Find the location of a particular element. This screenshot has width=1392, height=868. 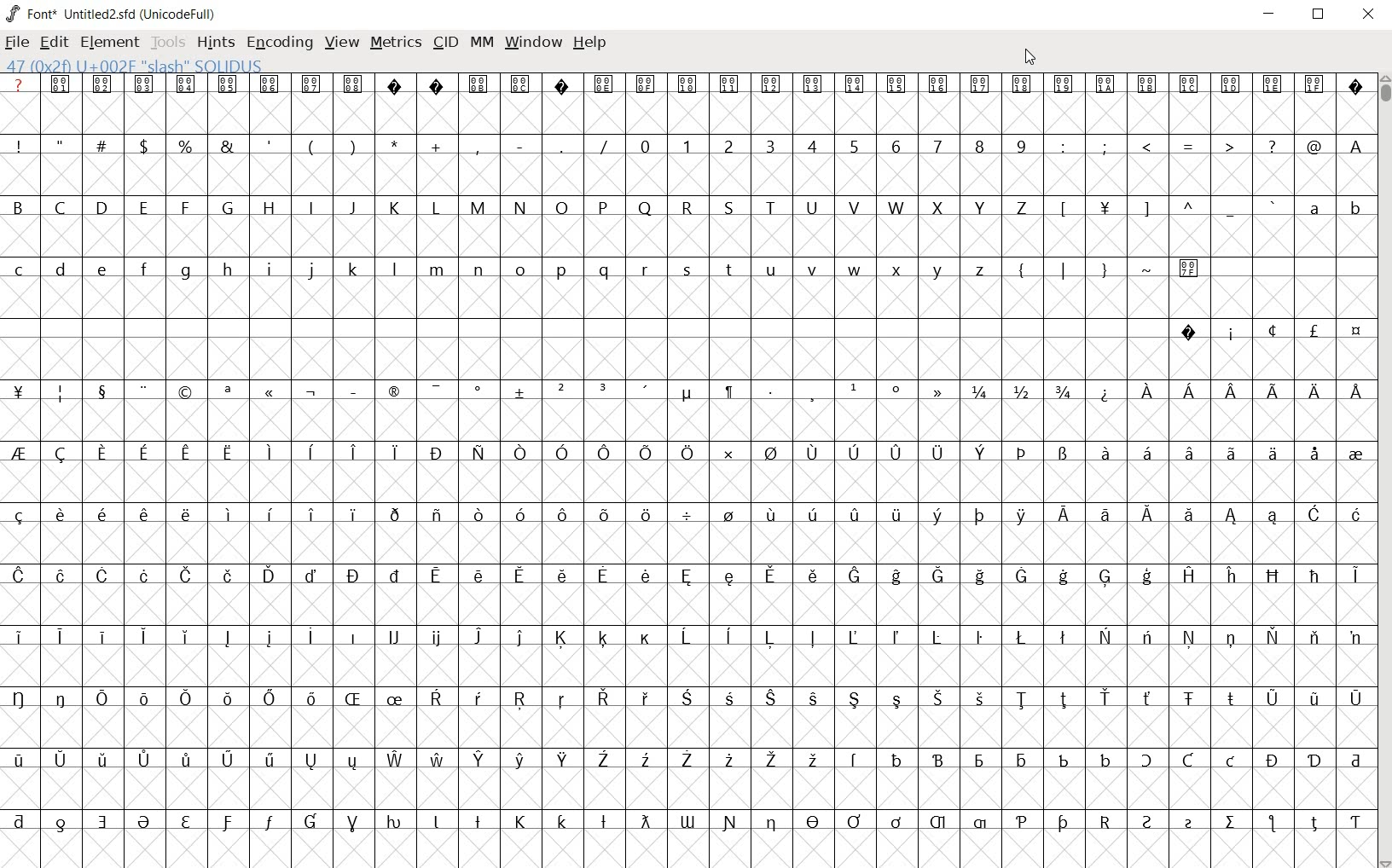

special symbols is located at coordinates (1263, 330).